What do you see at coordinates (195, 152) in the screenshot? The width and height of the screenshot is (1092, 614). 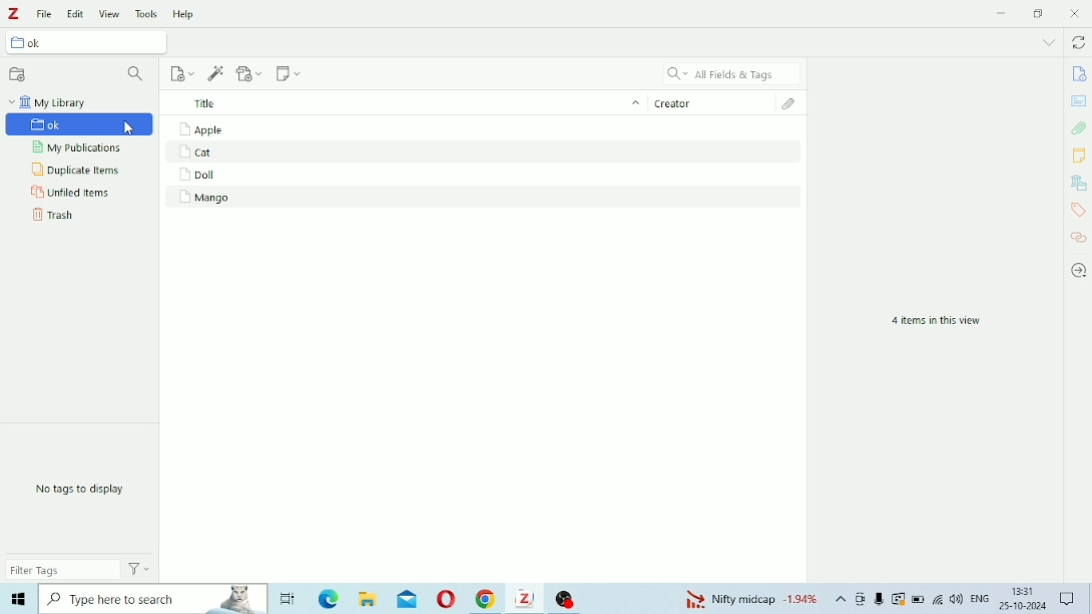 I see `Cat` at bounding box center [195, 152].